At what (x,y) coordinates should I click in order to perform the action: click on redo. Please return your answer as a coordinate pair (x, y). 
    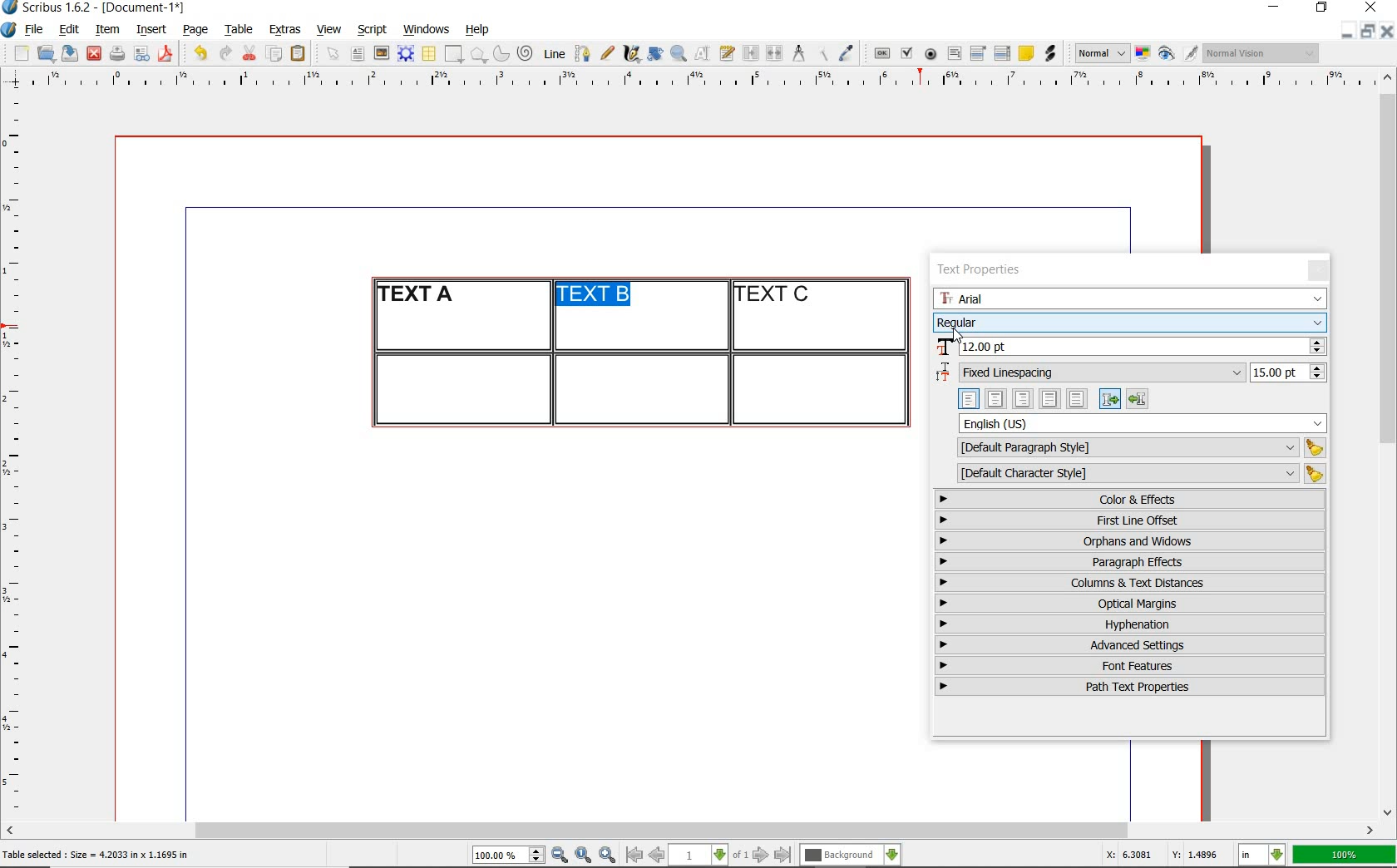
    Looking at the image, I should click on (224, 52).